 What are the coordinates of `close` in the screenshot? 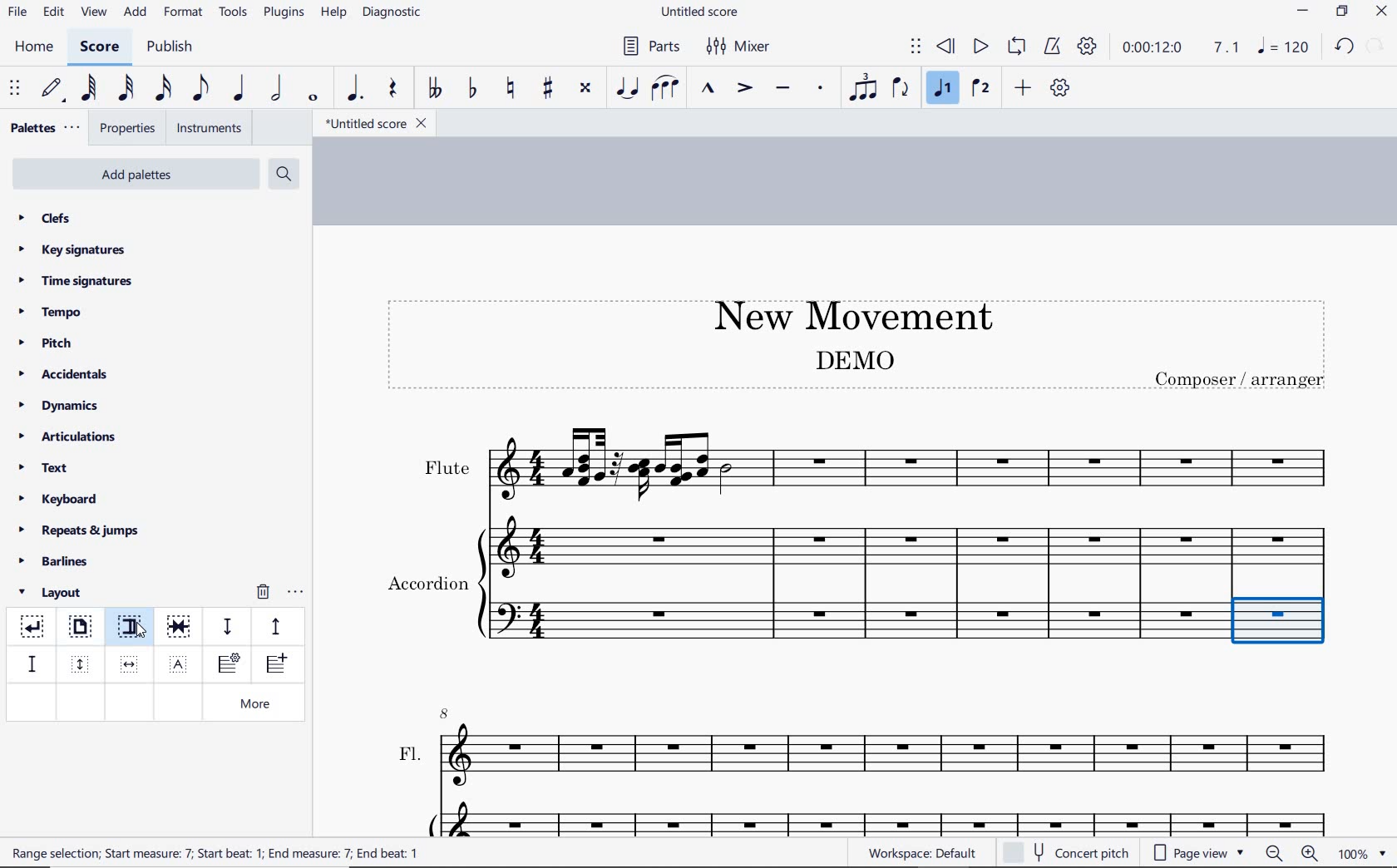 It's located at (1381, 13).